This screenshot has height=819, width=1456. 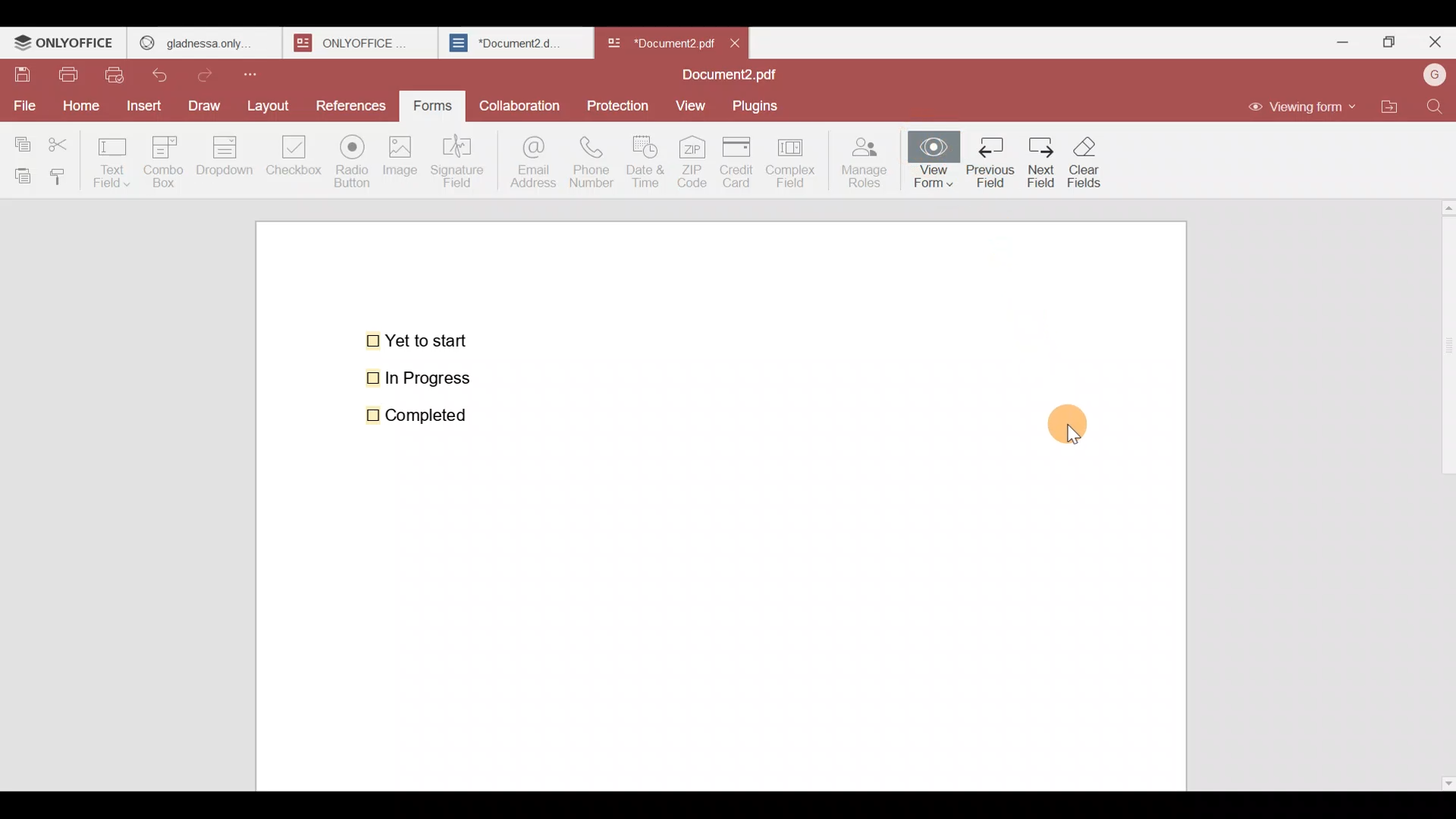 I want to click on Home, so click(x=78, y=105).